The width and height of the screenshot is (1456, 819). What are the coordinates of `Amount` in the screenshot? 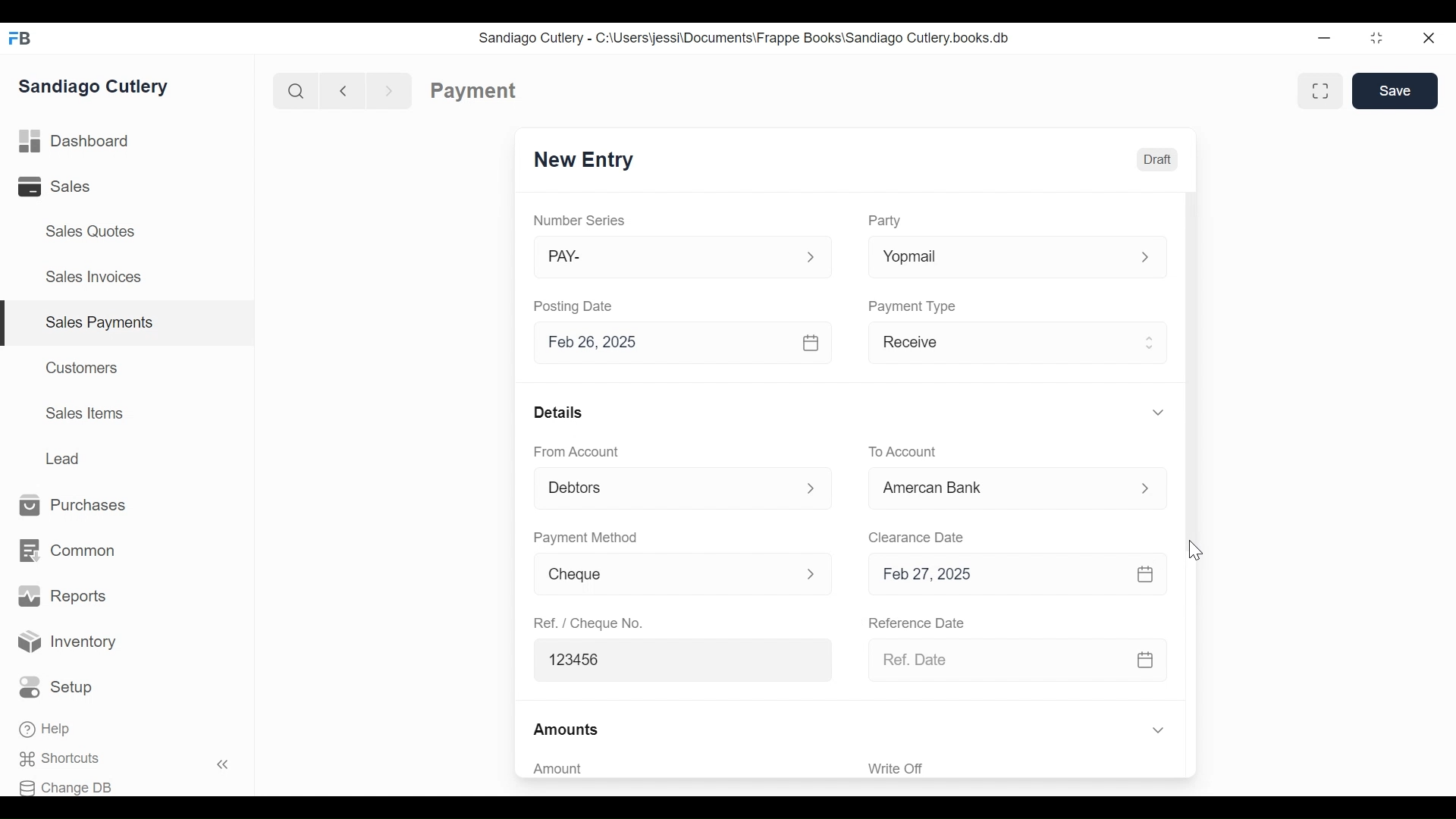 It's located at (675, 769).